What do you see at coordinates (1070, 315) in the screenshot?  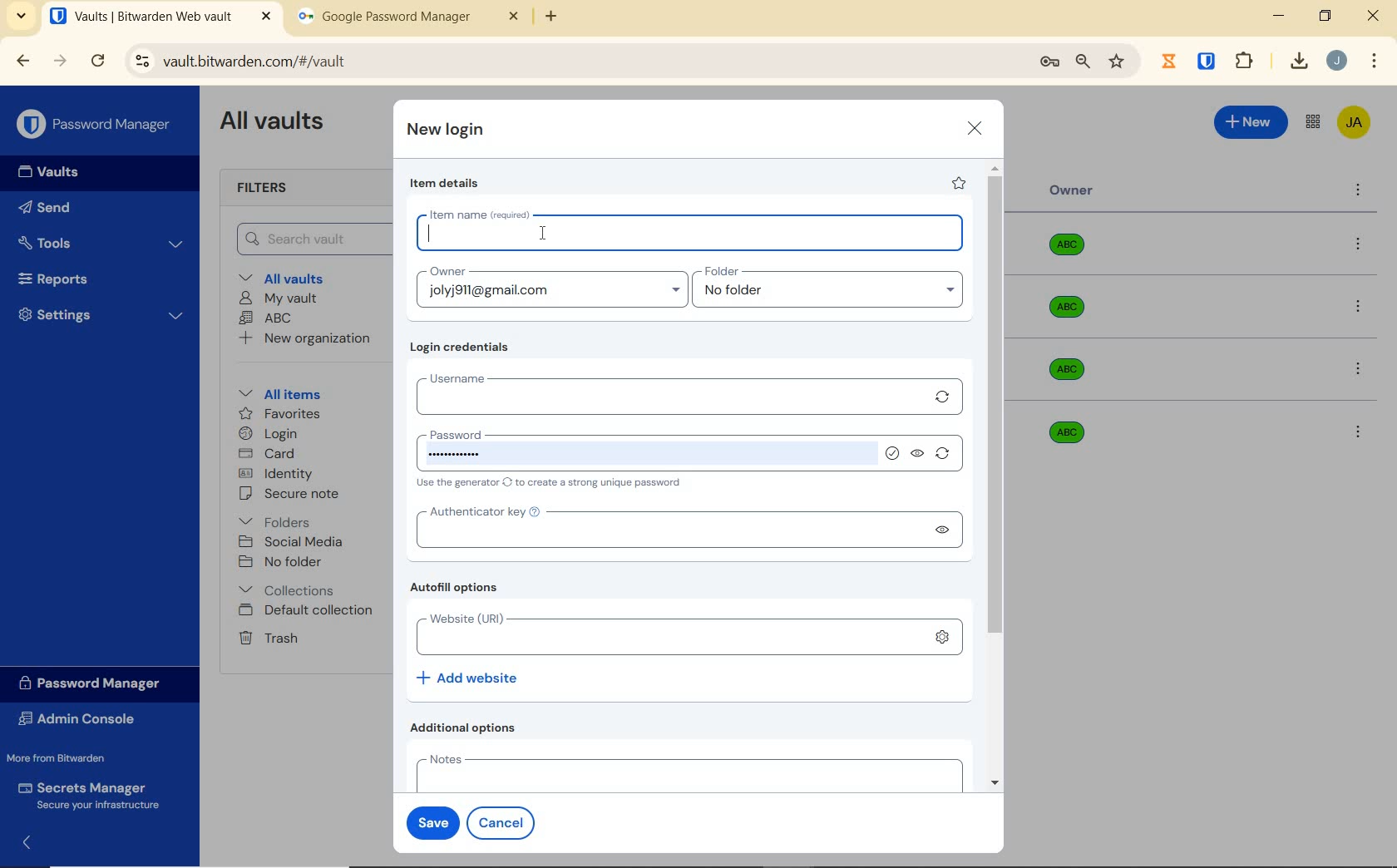 I see `Owner organization` at bounding box center [1070, 315].